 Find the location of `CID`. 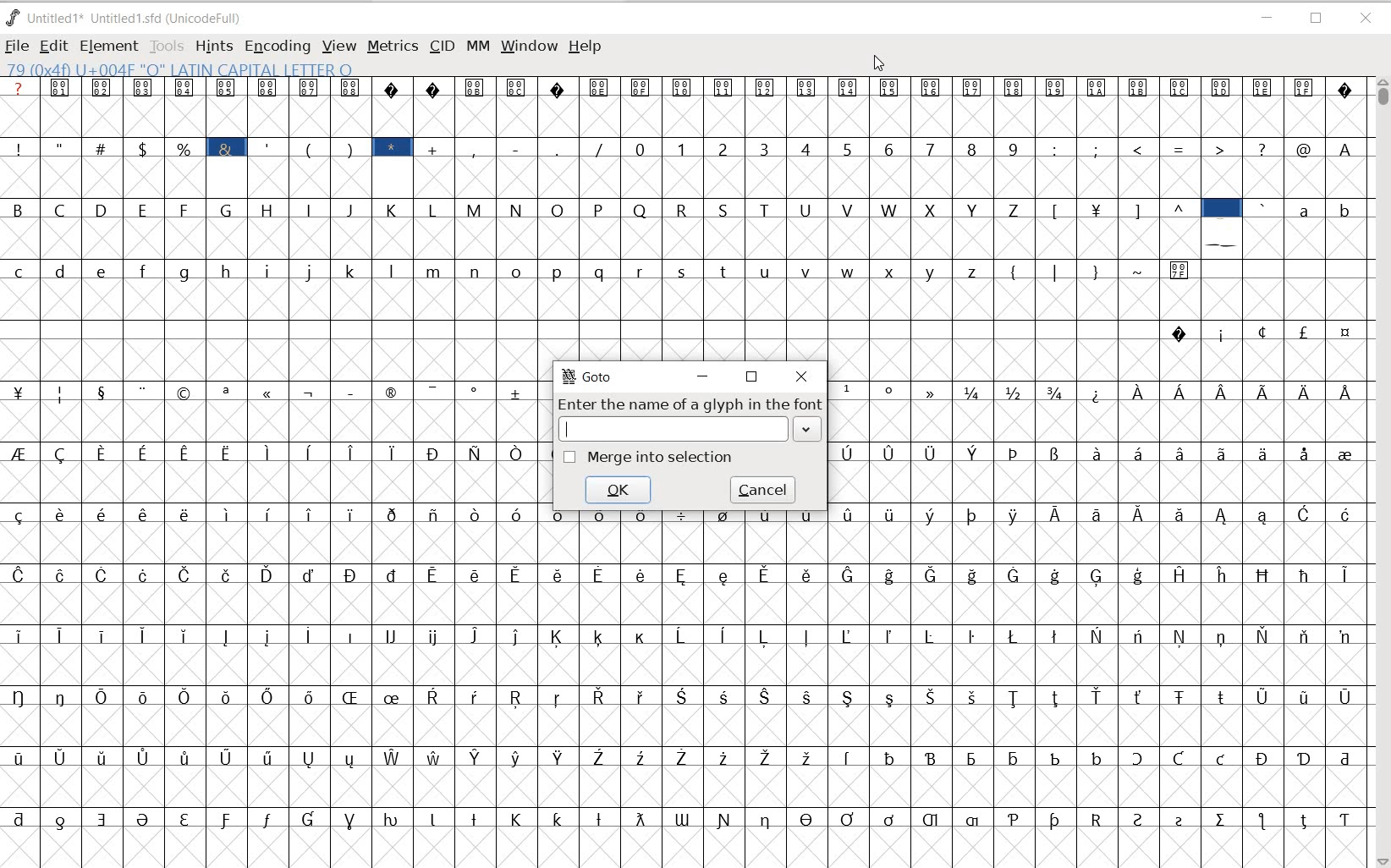

CID is located at coordinates (442, 47).